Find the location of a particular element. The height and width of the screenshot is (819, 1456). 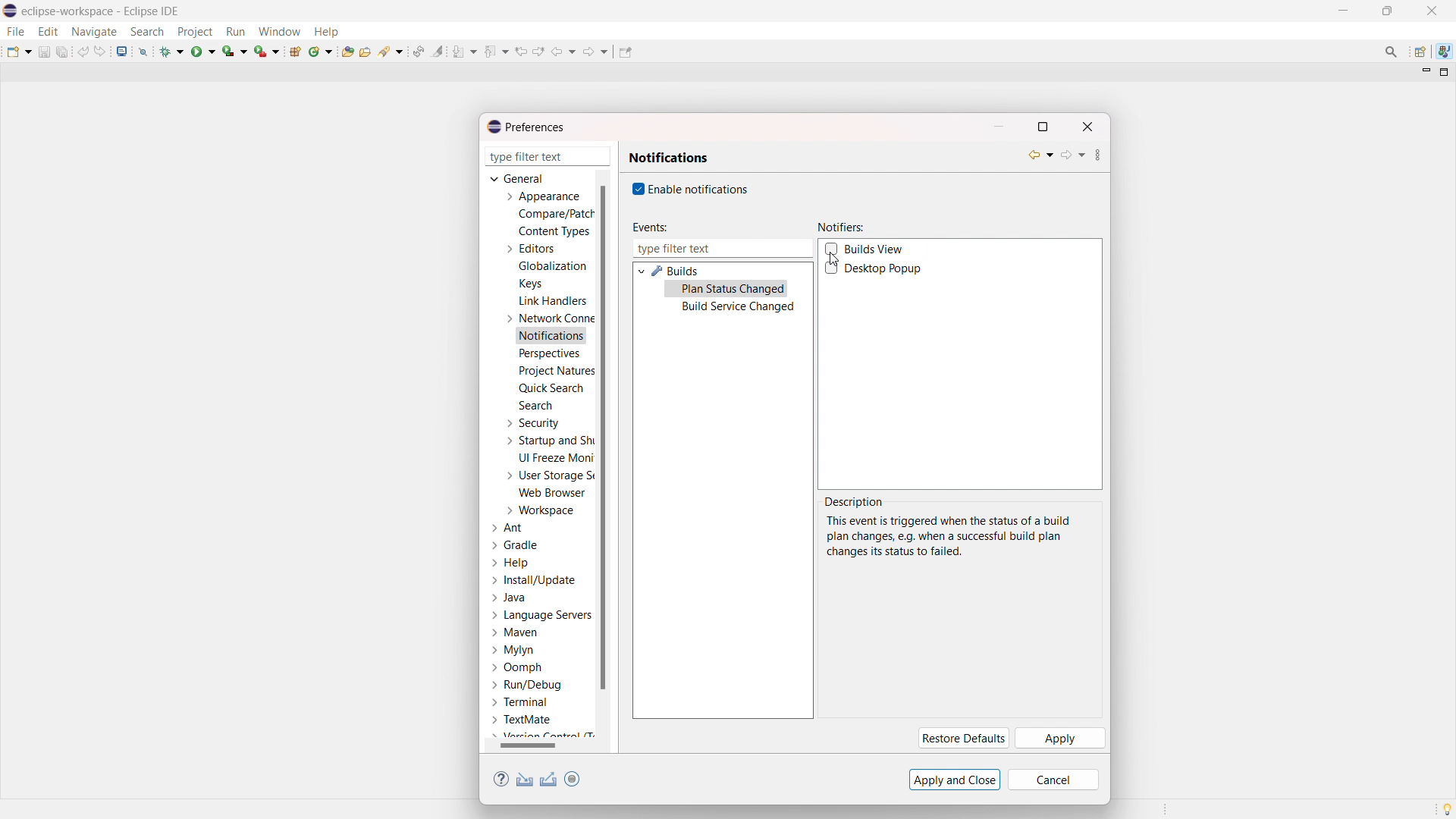

java is located at coordinates (510, 598).